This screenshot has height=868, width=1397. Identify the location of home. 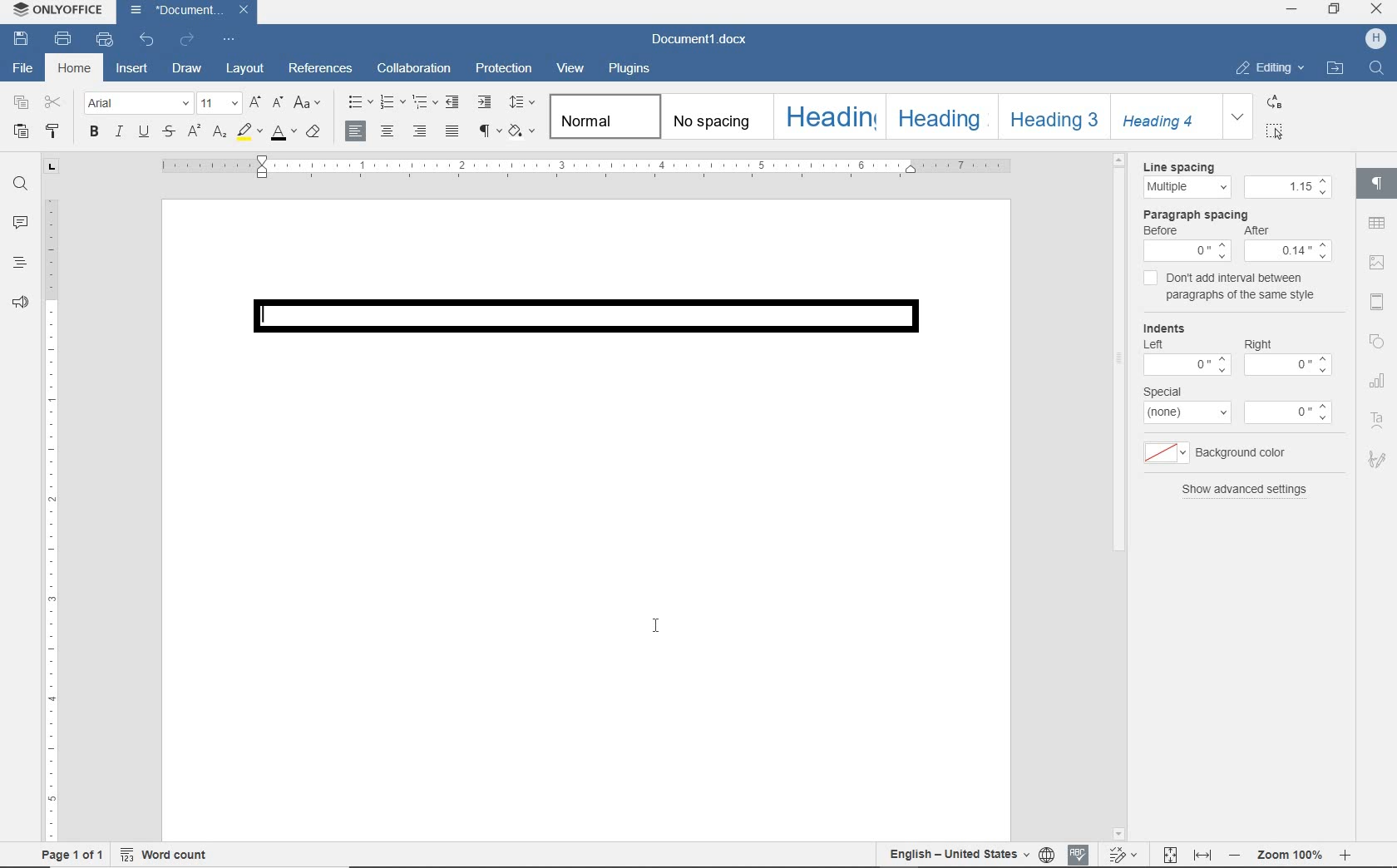
(77, 67).